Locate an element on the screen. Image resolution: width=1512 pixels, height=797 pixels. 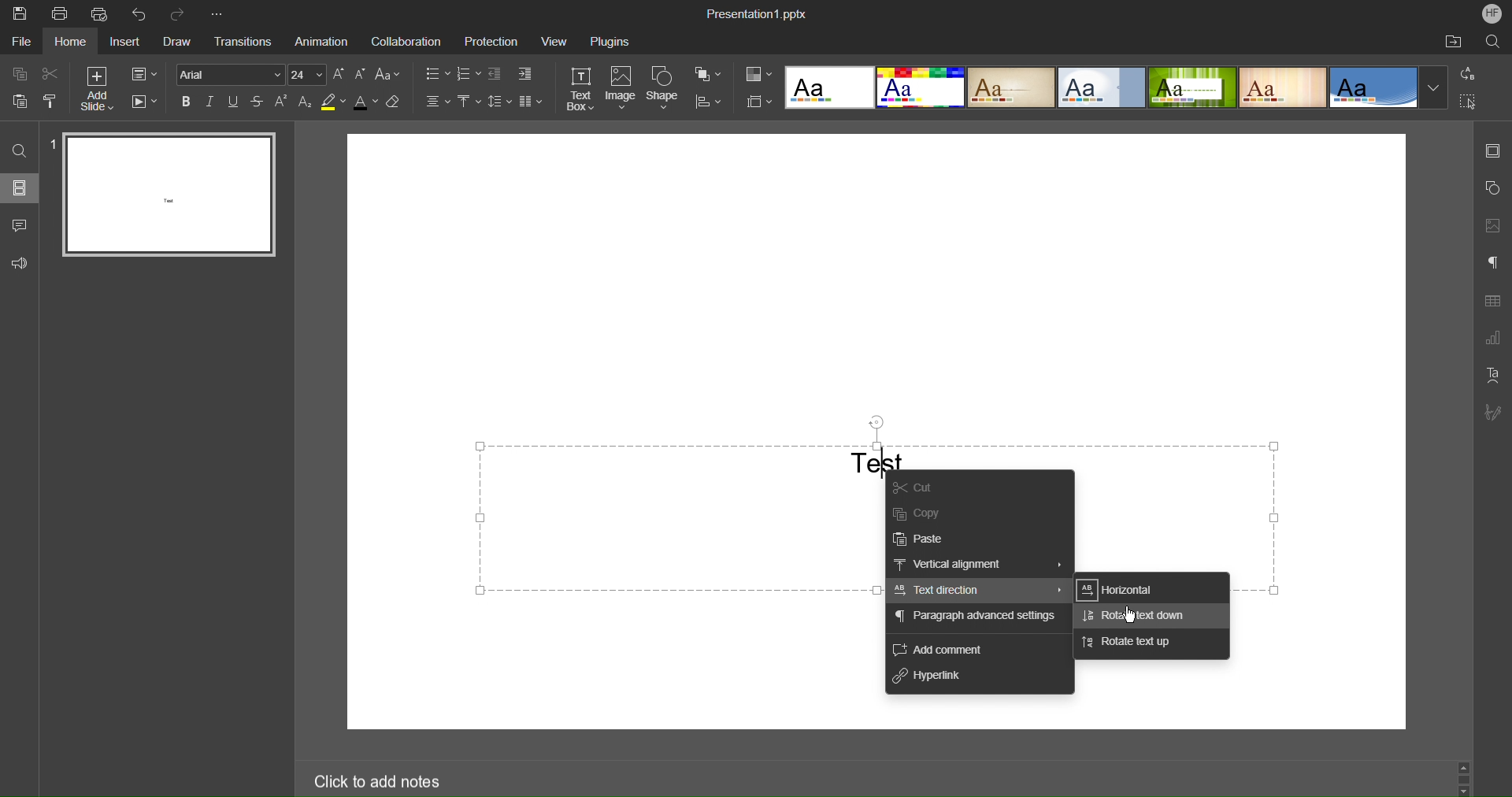
View is located at coordinates (554, 41).